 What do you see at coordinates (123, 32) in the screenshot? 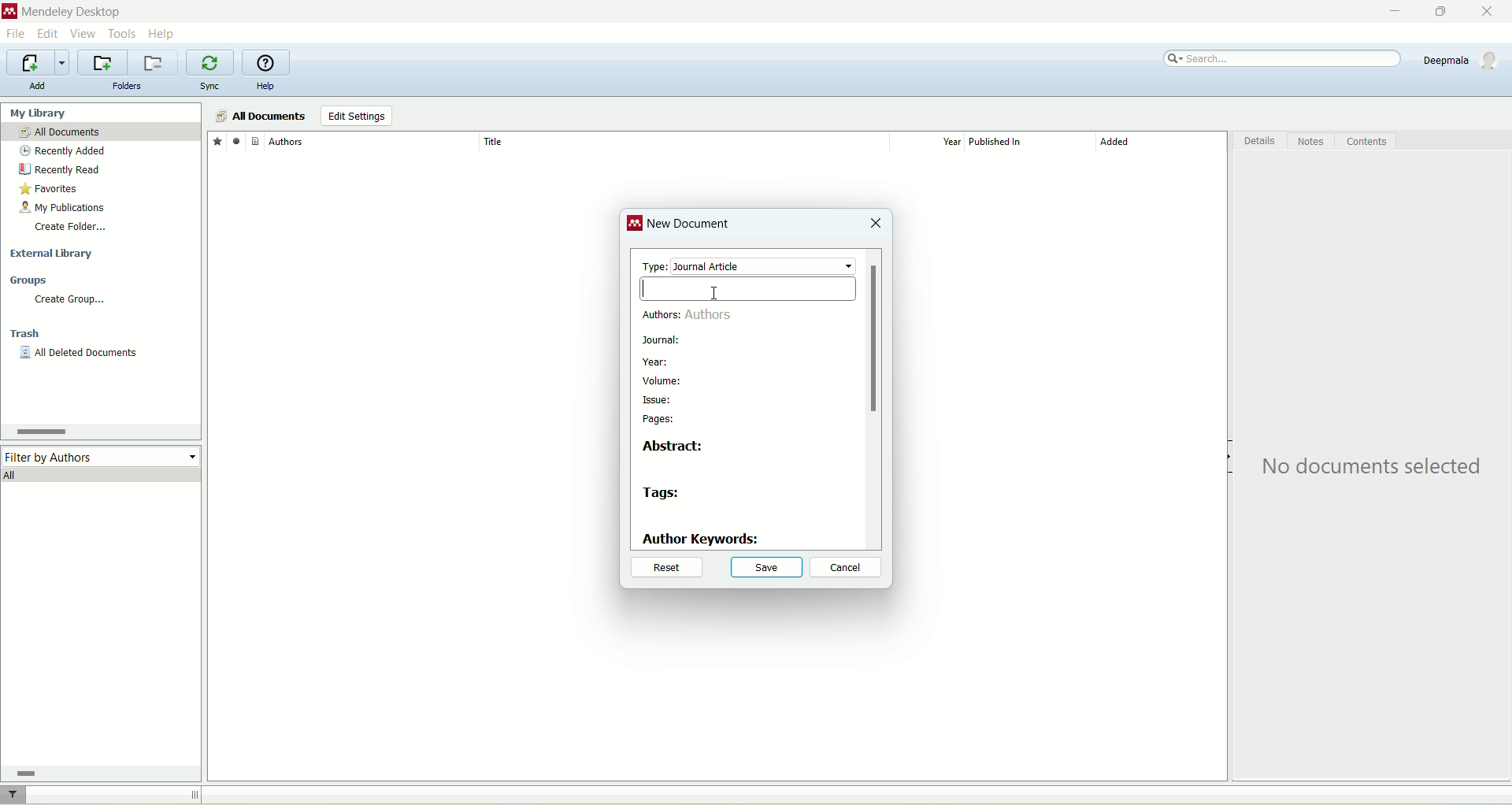
I see `tools` at bounding box center [123, 32].